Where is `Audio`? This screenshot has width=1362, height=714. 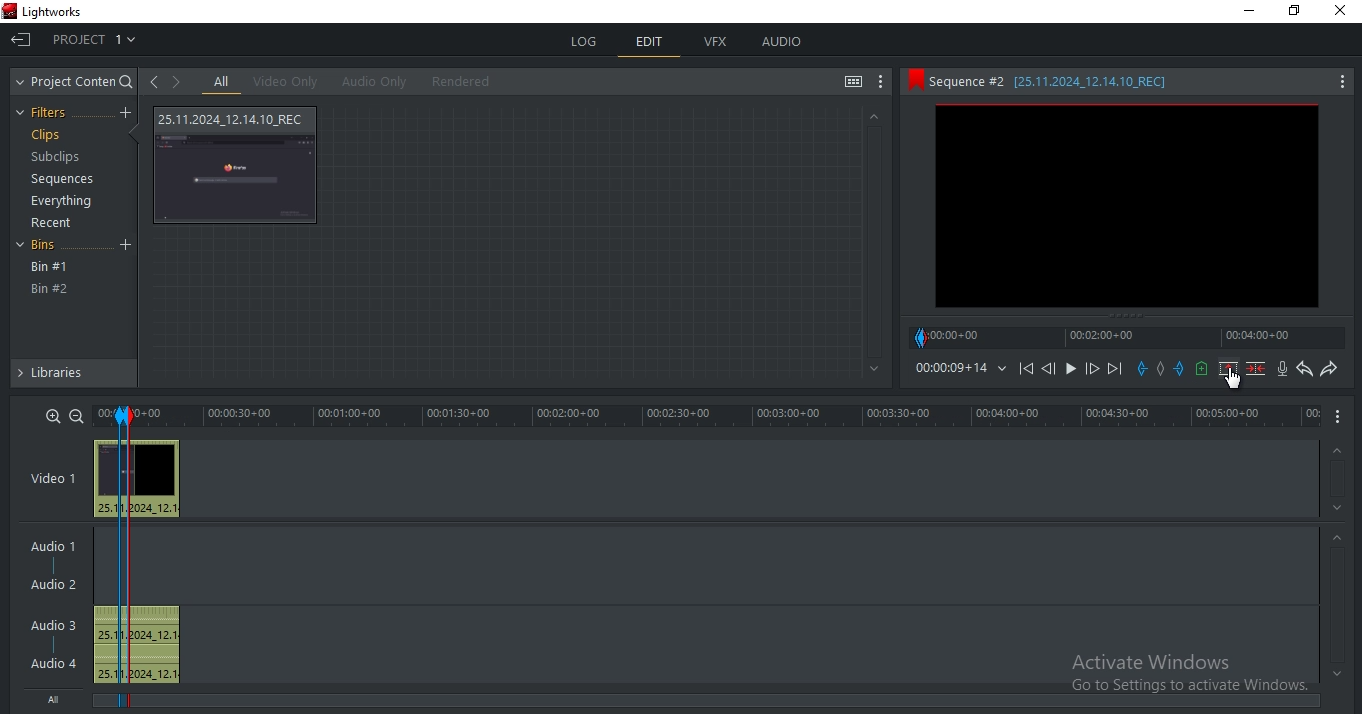 Audio is located at coordinates (56, 663).